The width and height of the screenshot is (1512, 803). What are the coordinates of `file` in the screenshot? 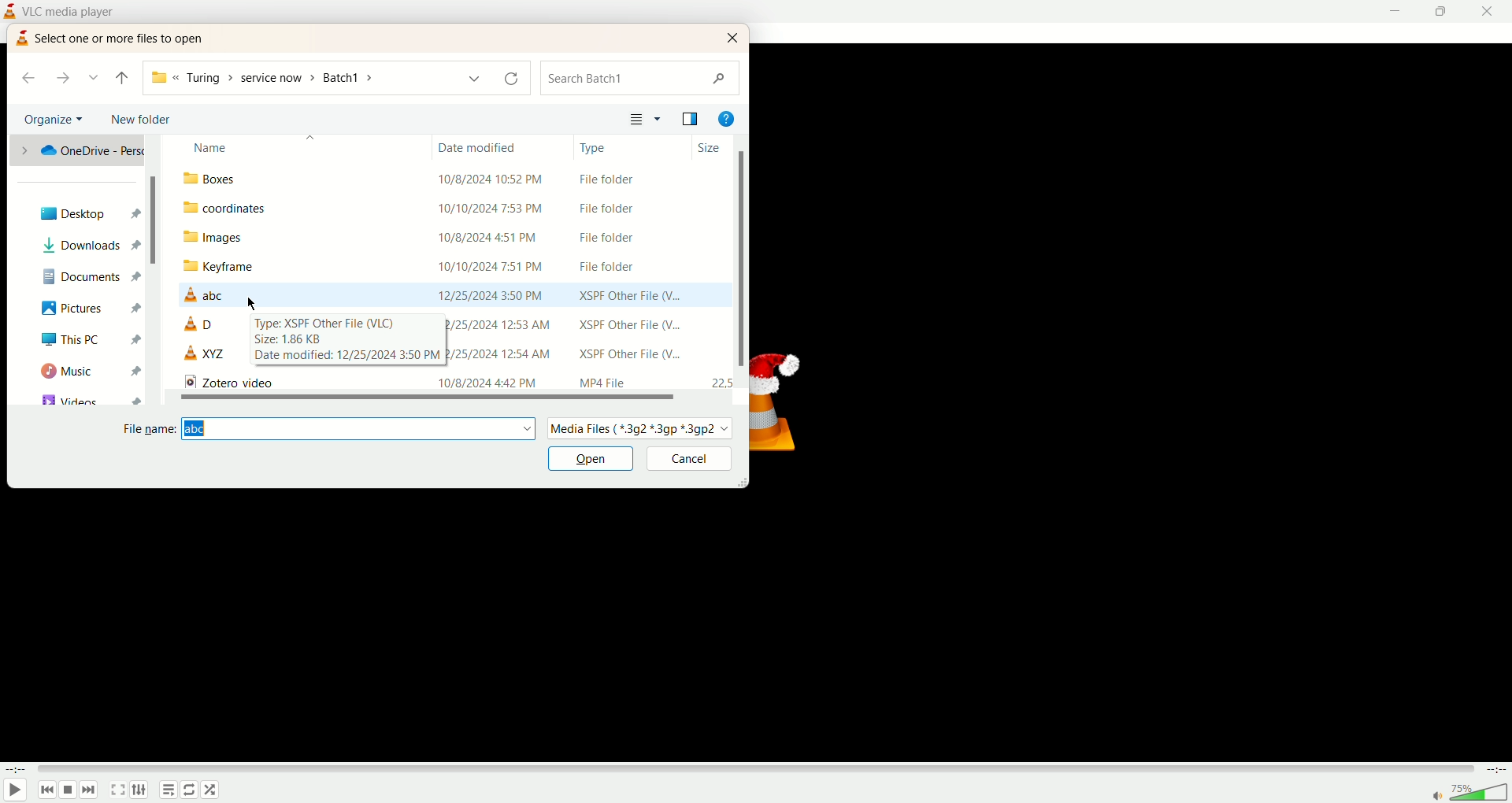 It's located at (206, 324).